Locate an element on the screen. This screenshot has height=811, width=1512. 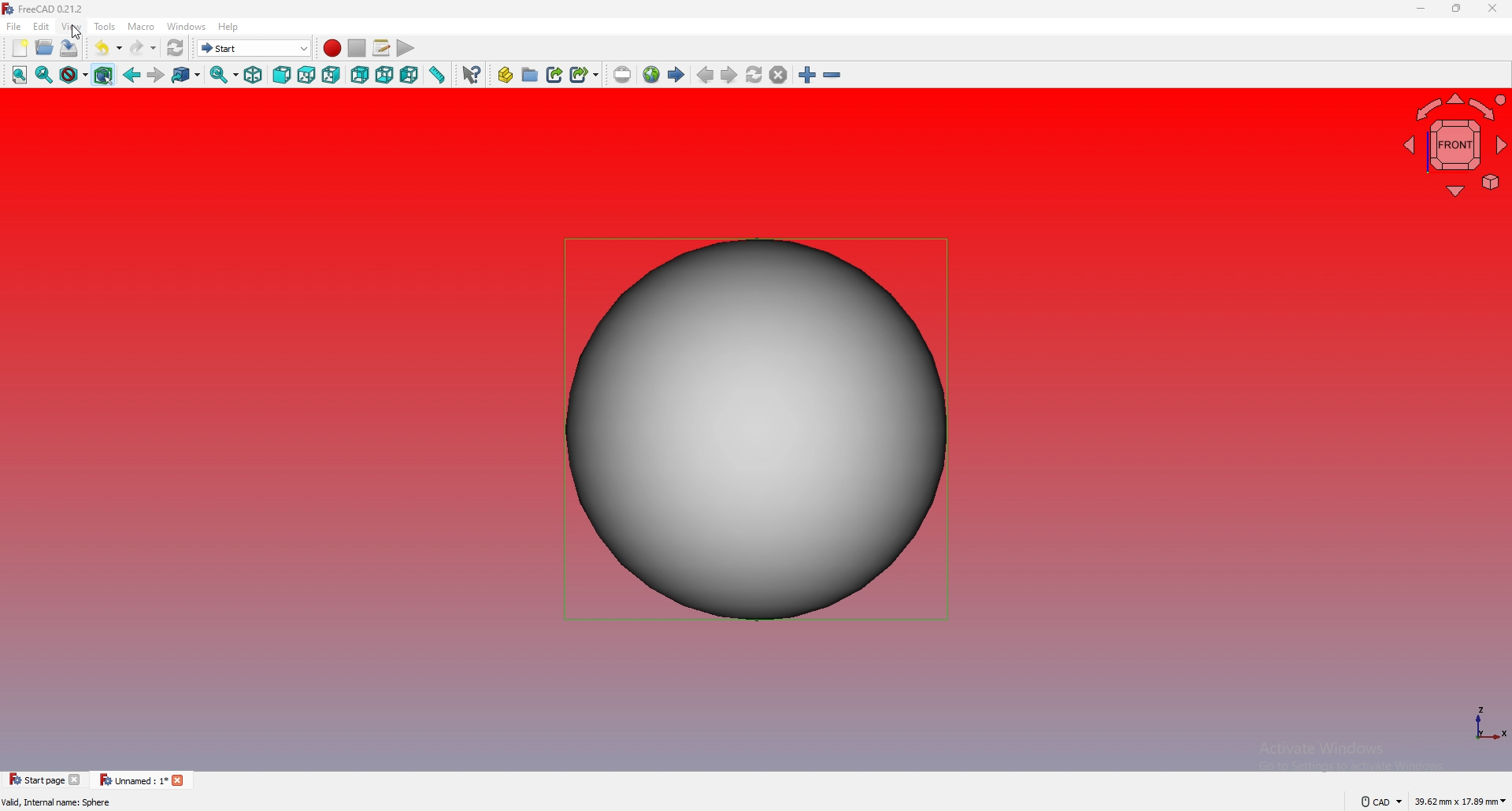
dimensions is located at coordinates (1461, 802).